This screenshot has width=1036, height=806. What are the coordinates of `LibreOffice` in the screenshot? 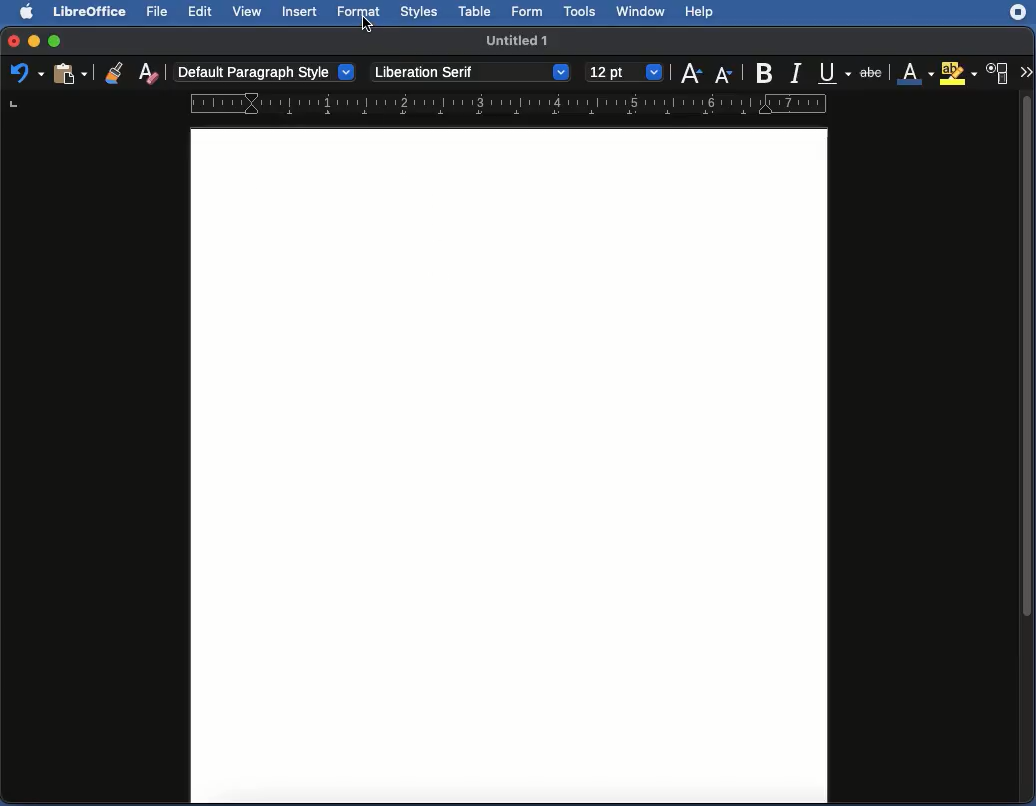 It's located at (91, 12).